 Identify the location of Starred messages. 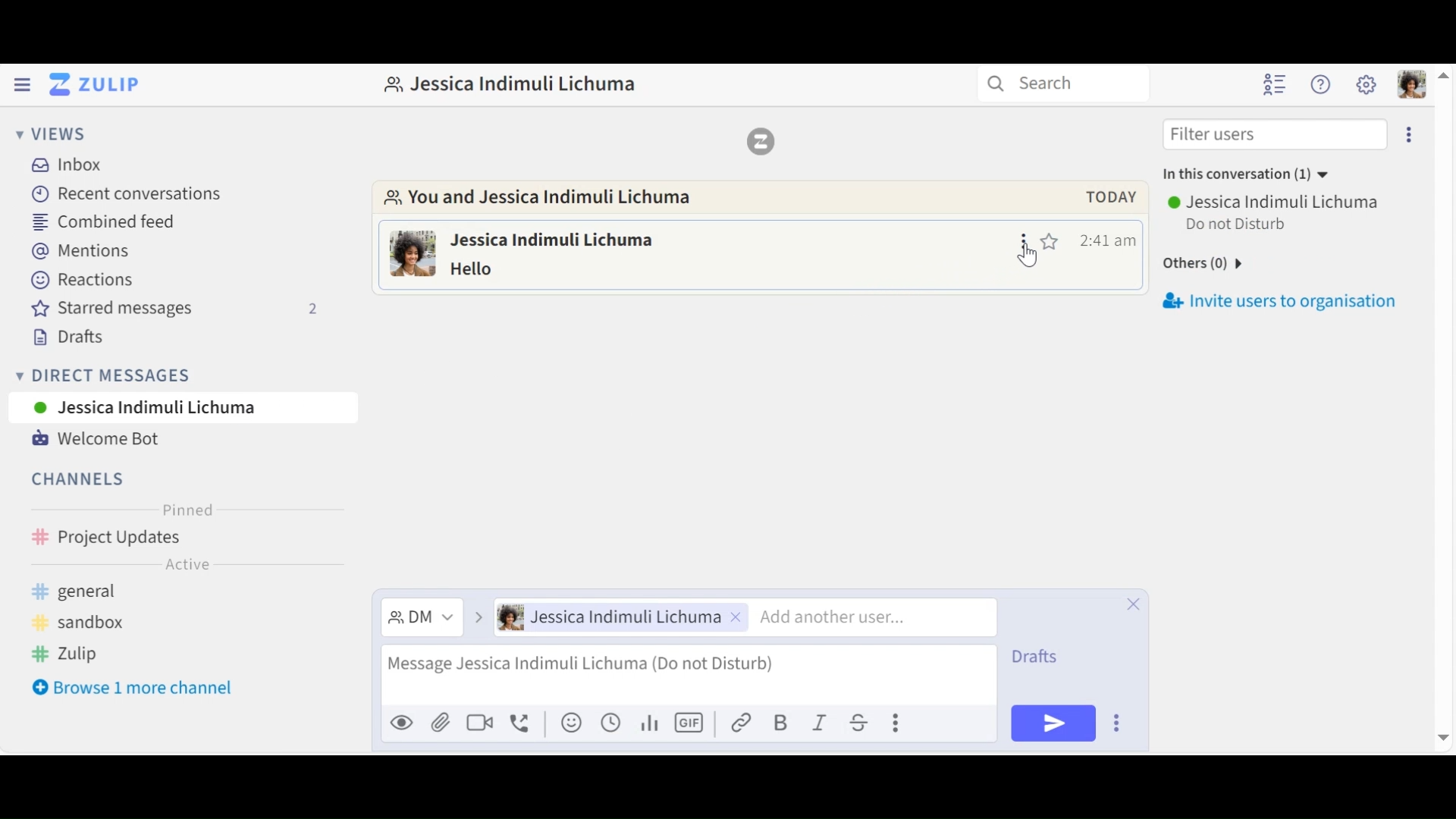
(176, 309).